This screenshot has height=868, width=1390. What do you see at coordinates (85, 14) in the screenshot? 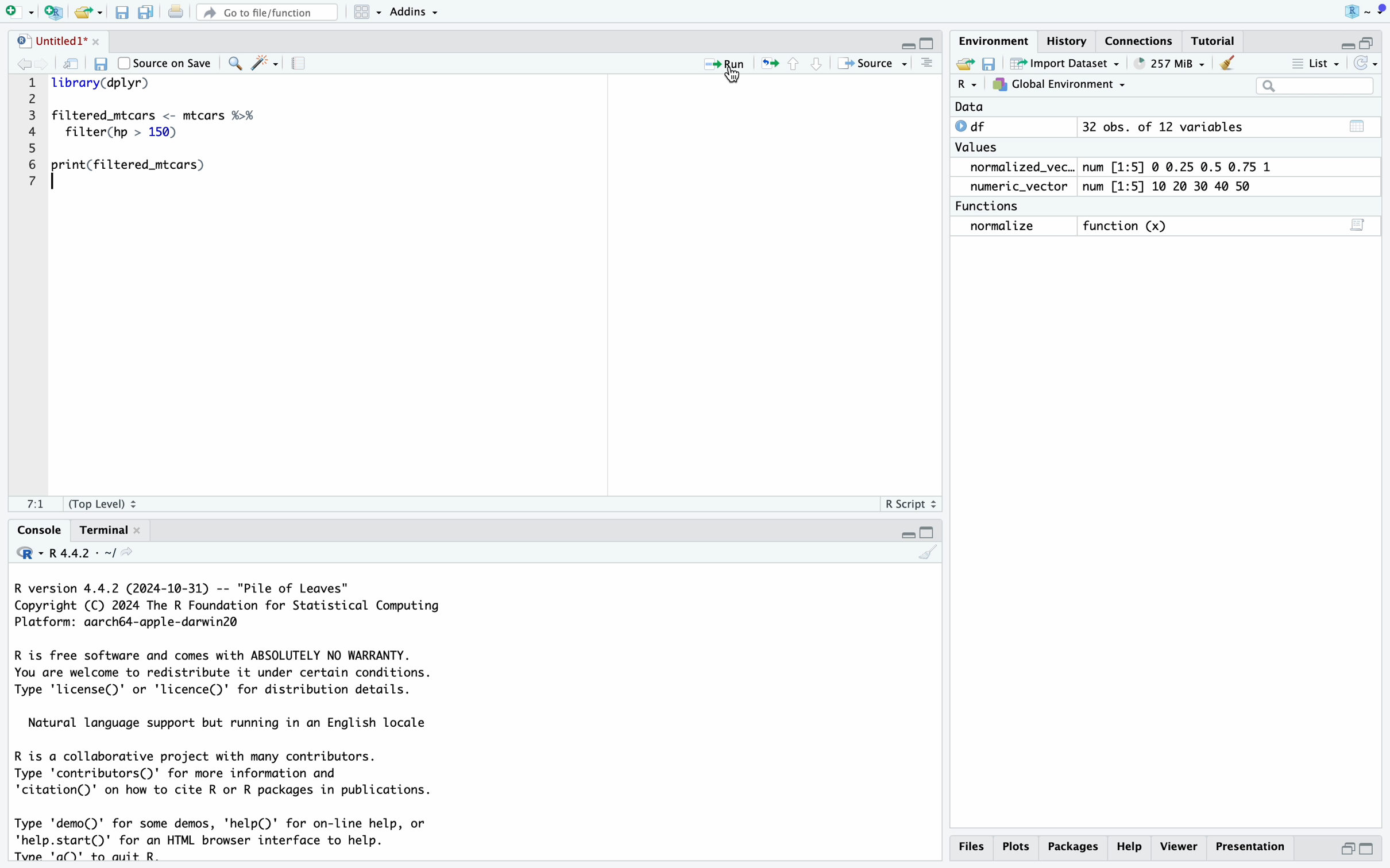
I see `open file` at bounding box center [85, 14].